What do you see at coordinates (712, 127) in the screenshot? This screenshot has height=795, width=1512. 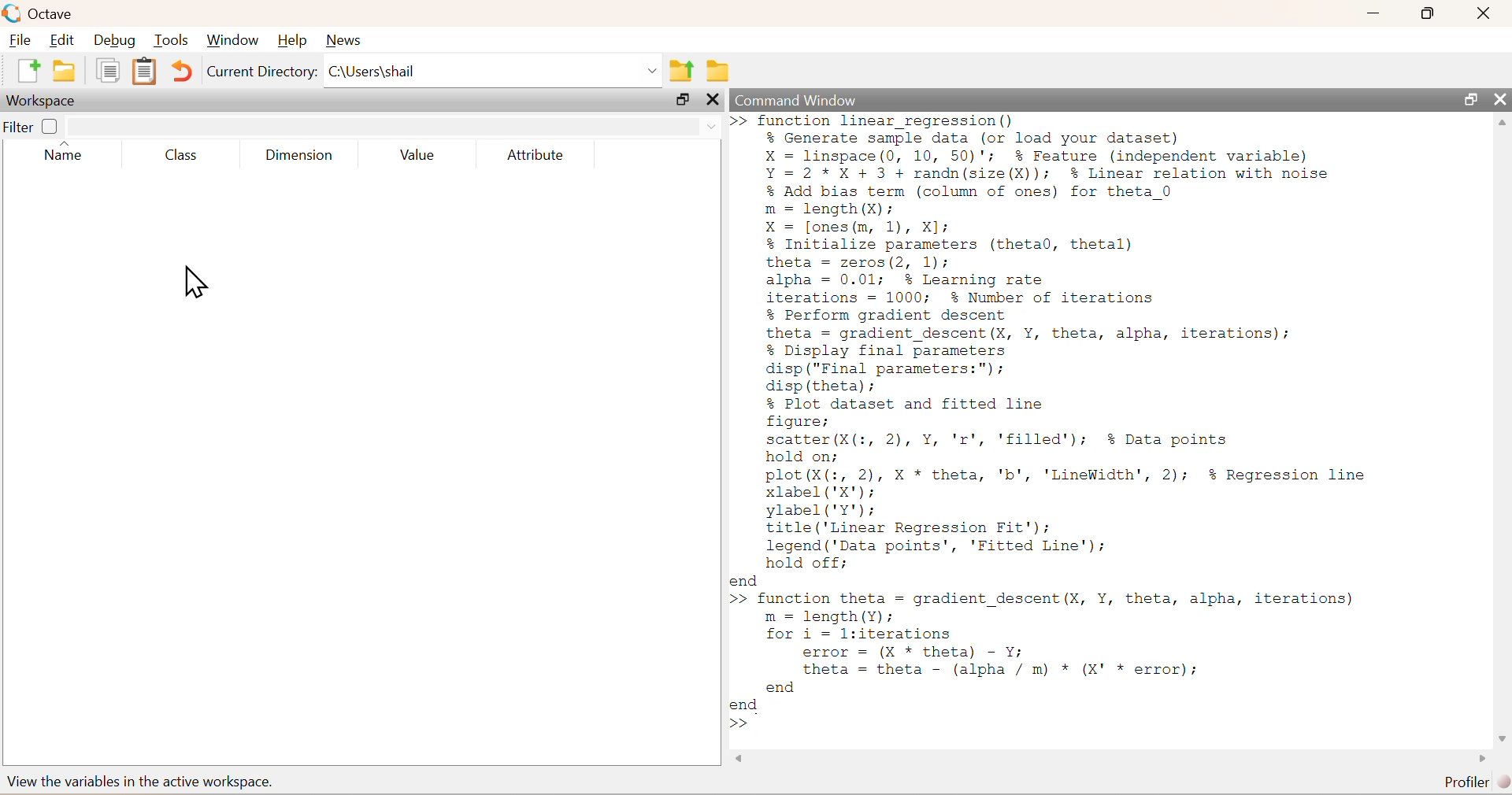 I see `down` at bounding box center [712, 127].